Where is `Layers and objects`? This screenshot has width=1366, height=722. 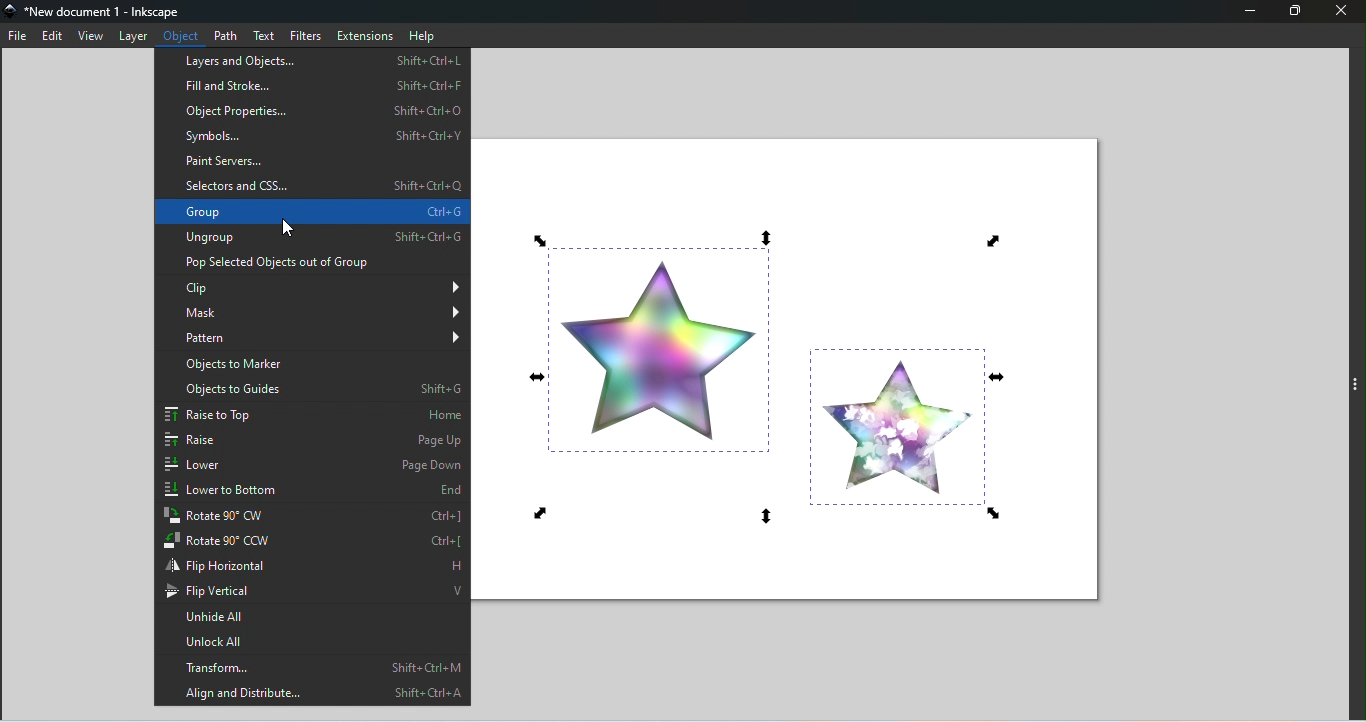 Layers and objects is located at coordinates (311, 60).